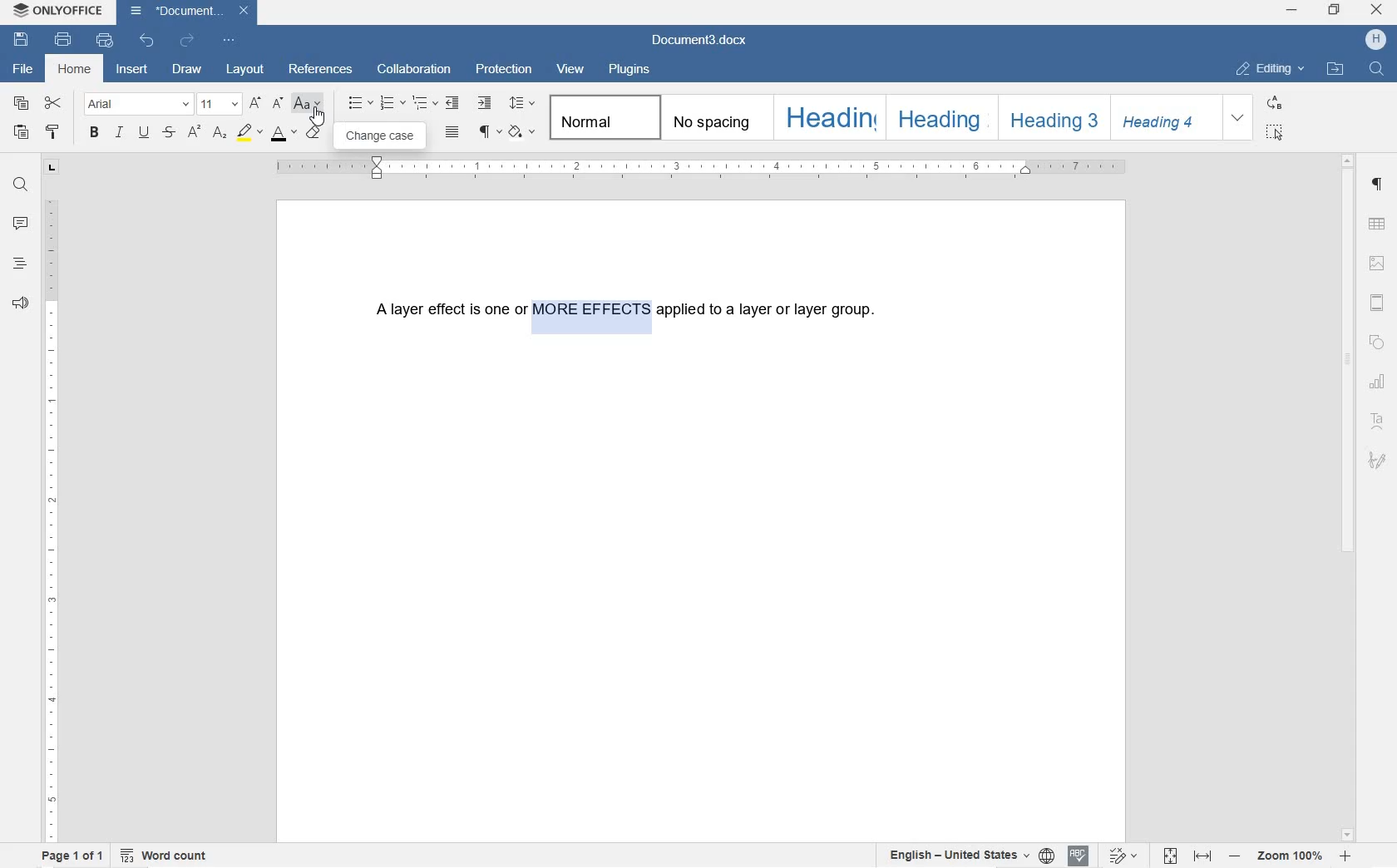 The height and width of the screenshot is (868, 1397). I want to click on CHART, so click(1380, 382).